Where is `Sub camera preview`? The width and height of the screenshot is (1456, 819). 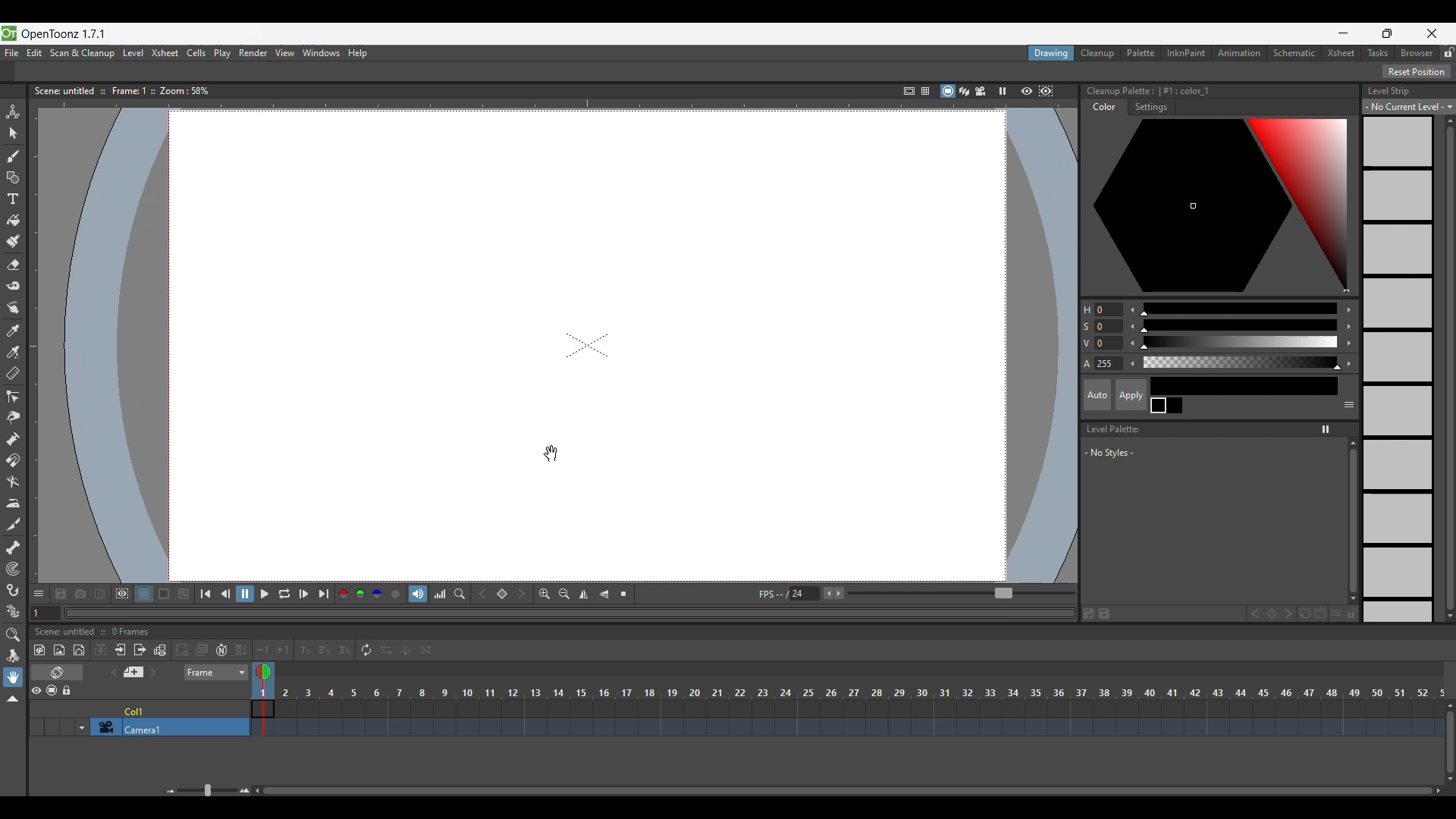
Sub camera preview is located at coordinates (1045, 91).